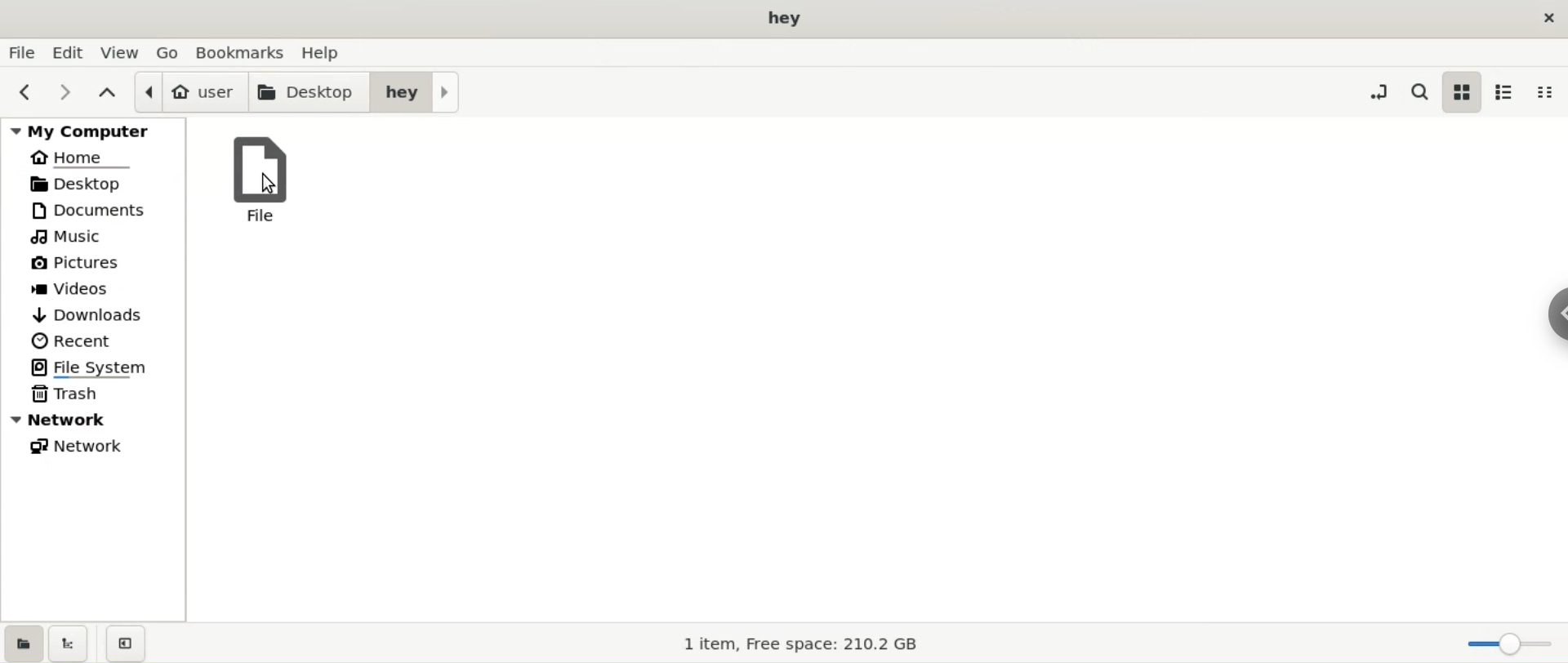 The image size is (1568, 663). I want to click on close sidebar, so click(128, 641).